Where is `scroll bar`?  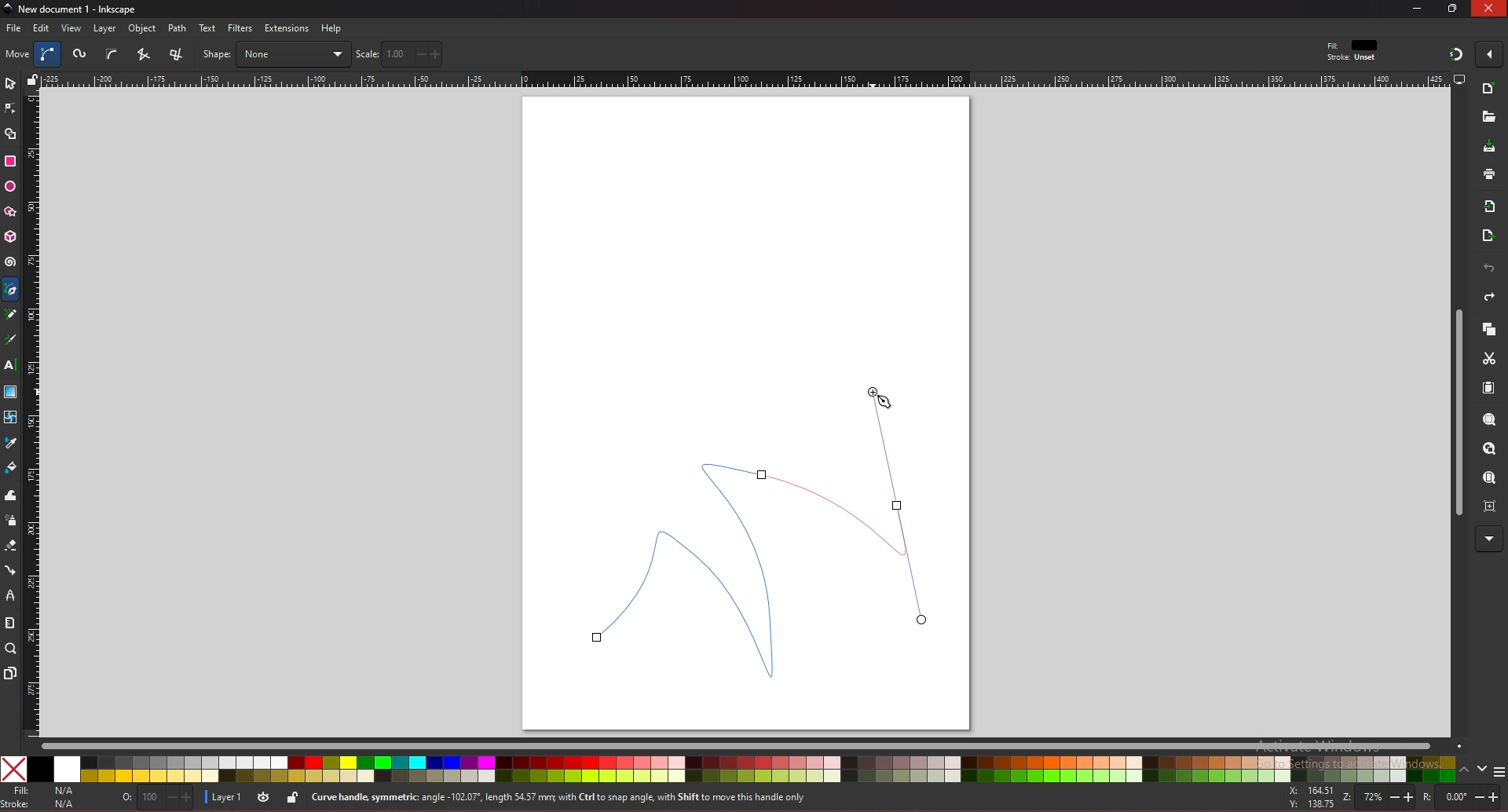 scroll bar is located at coordinates (751, 744).